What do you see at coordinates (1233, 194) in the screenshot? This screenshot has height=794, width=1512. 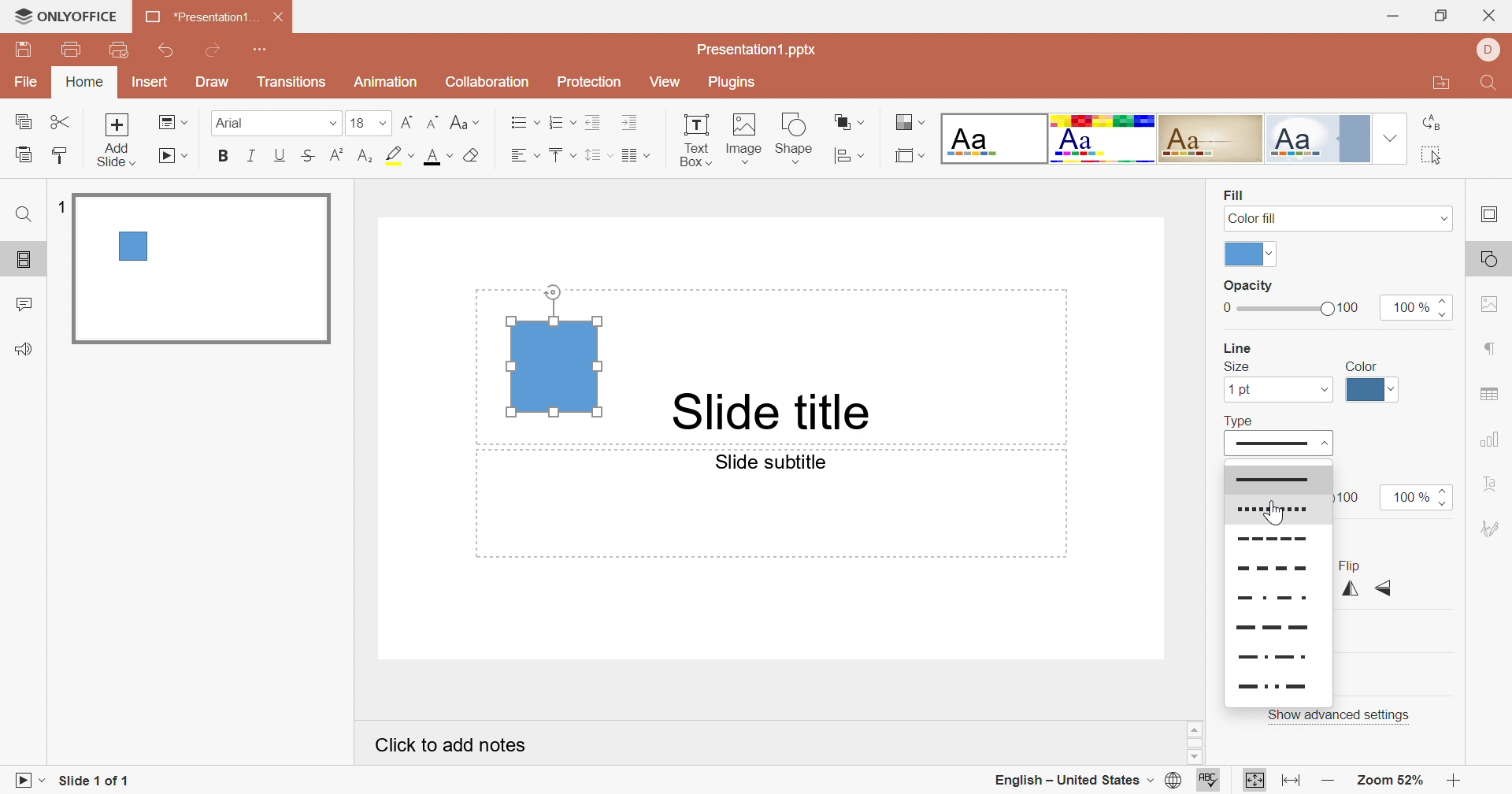 I see `Fill` at bounding box center [1233, 194].